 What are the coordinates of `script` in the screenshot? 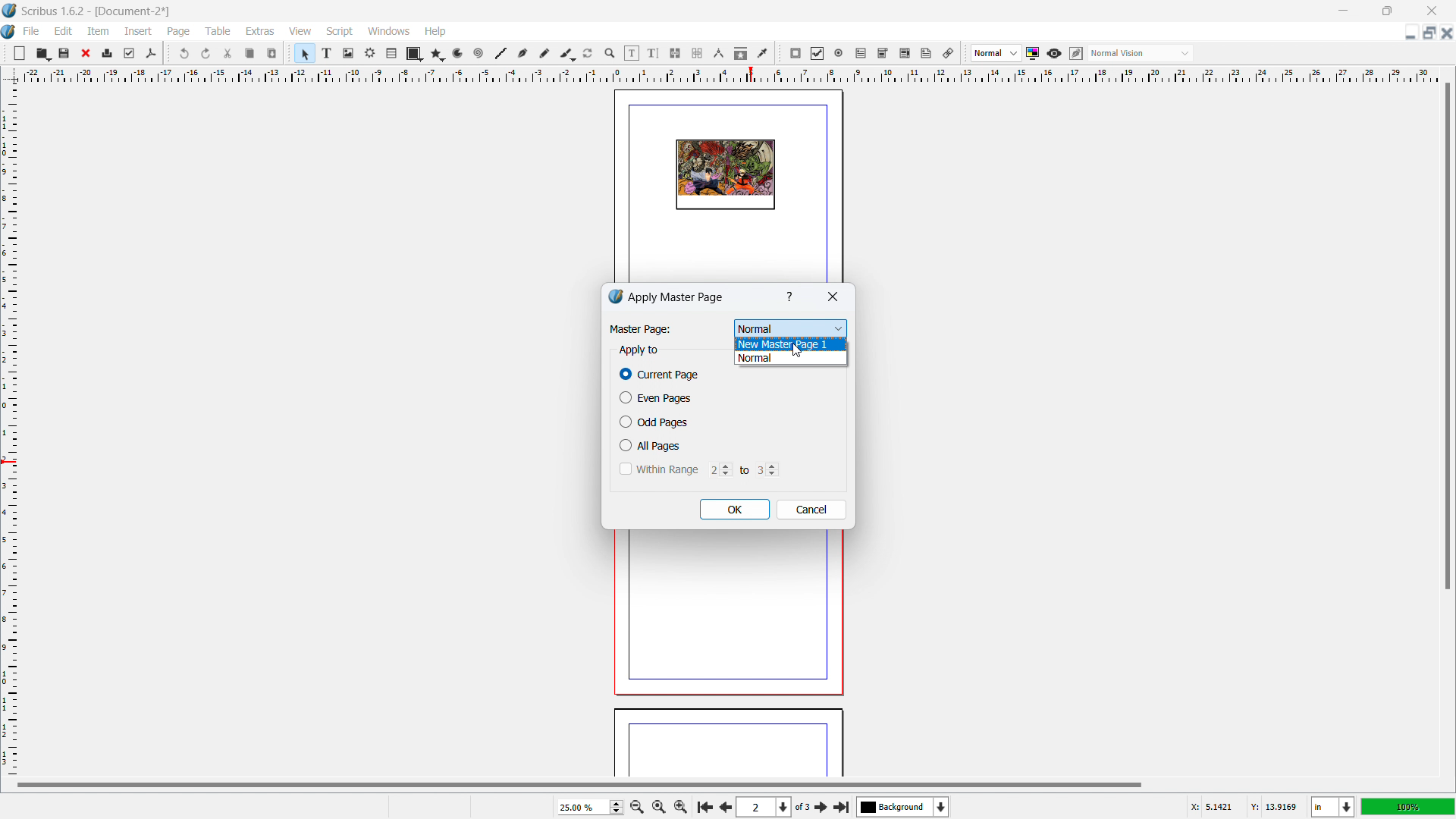 It's located at (340, 32).